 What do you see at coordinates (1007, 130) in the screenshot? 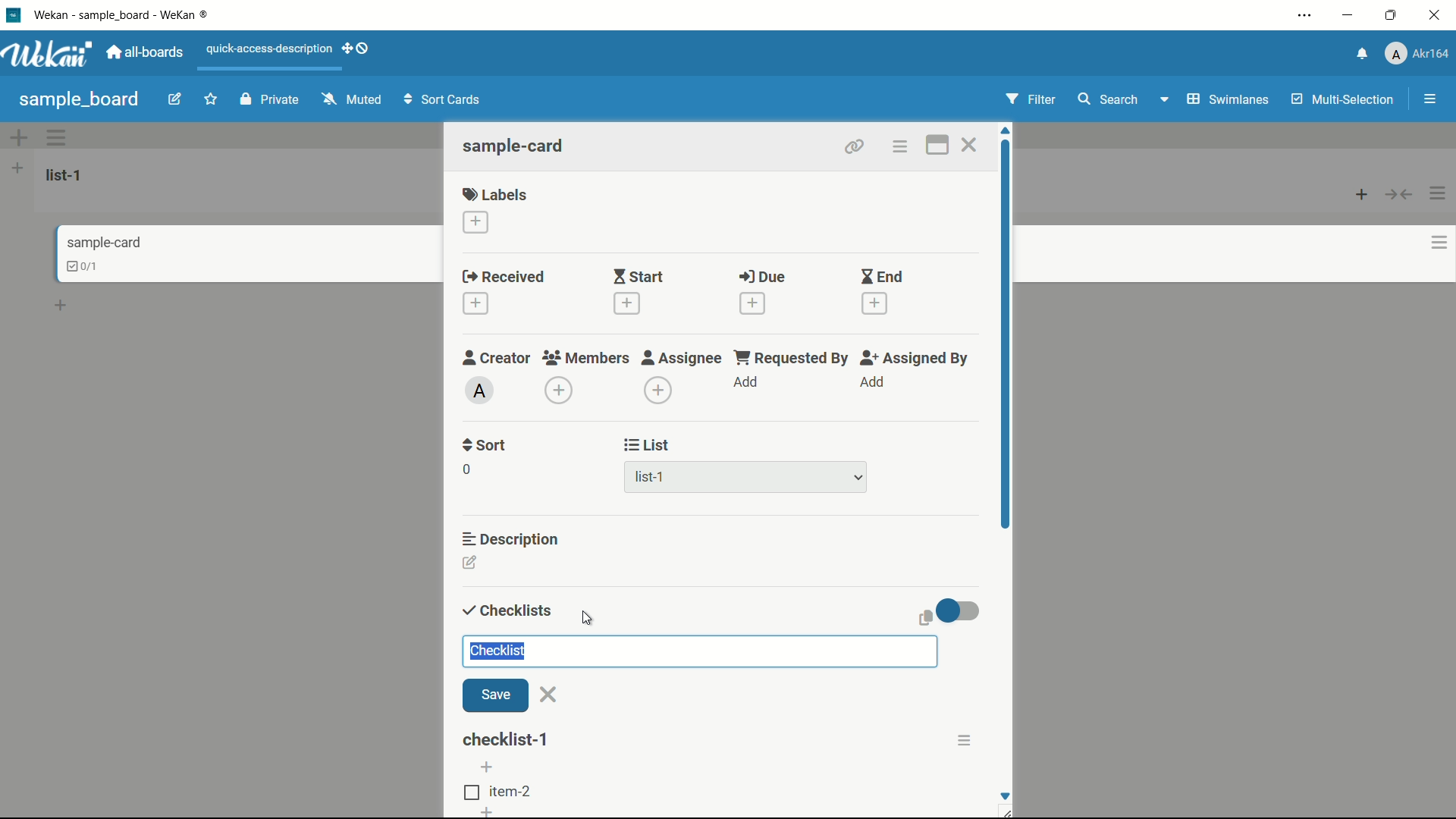
I see `scroll up` at bounding box center [1007, 130].